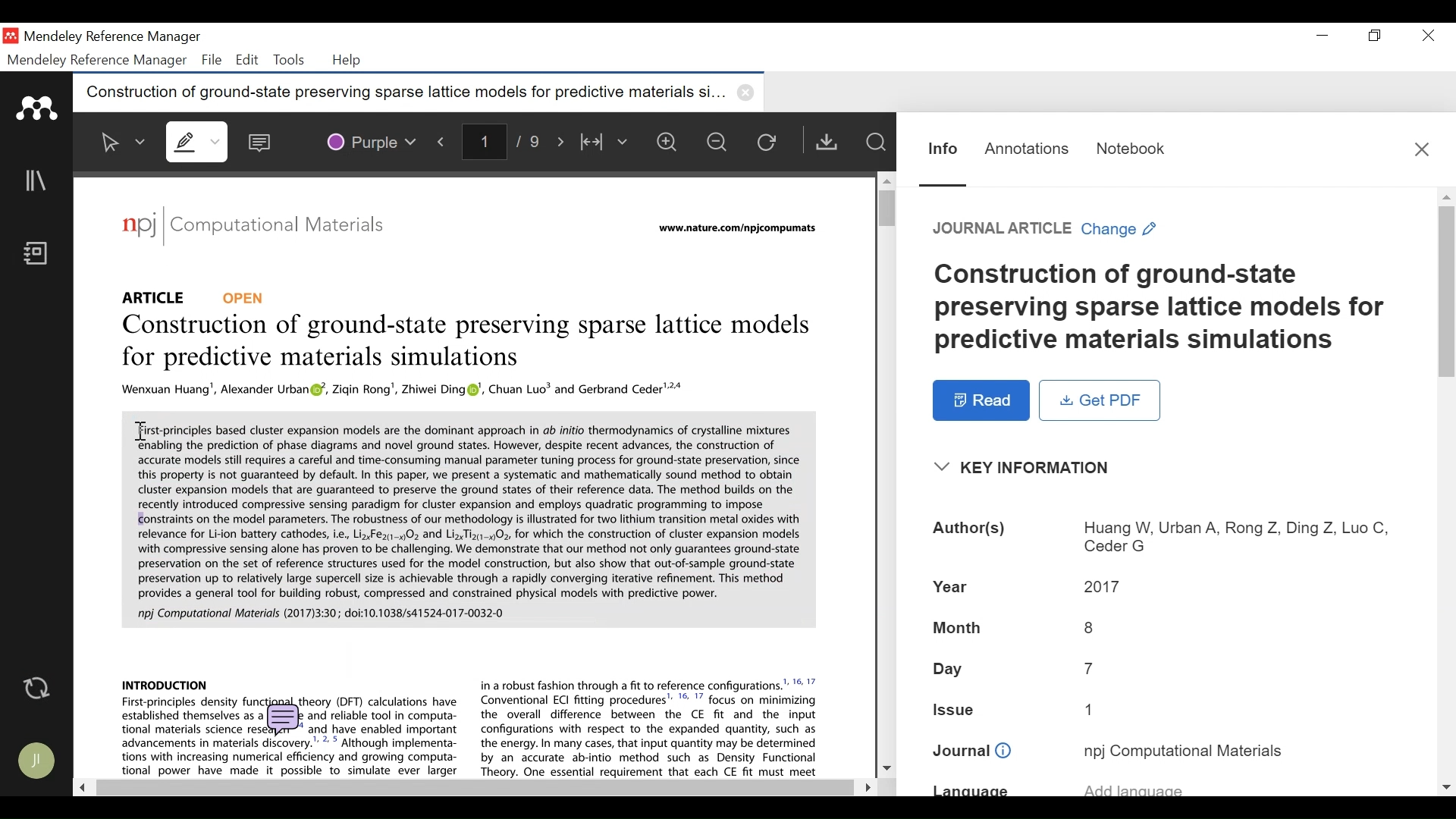 Image resolution: width=1456 pixels, height=819 pixels. What do you see at coordinates (470, 344) in the screenshot?
I see `Title` at bounding box center [470, 344].